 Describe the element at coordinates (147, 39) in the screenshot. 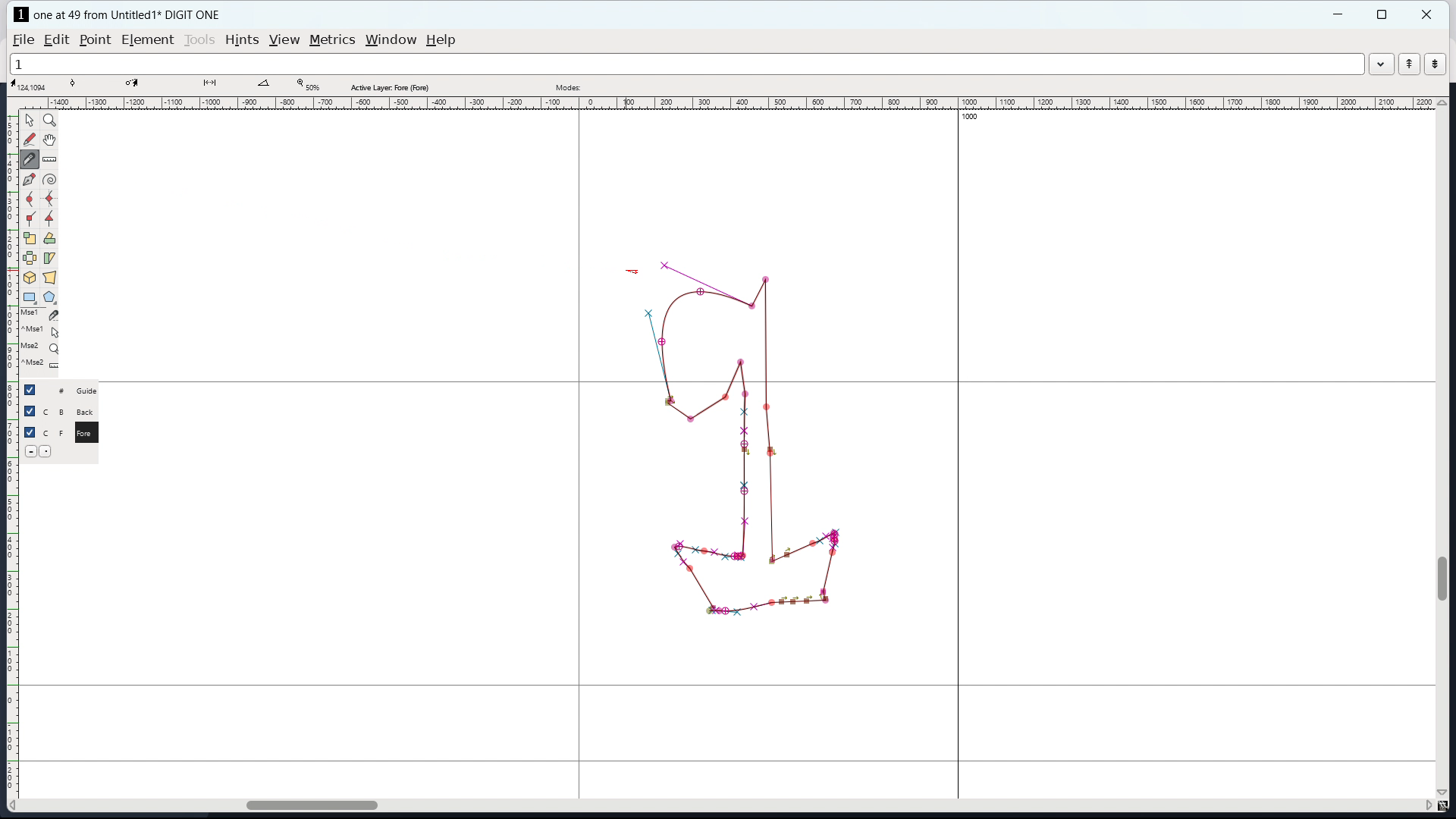

I see `element` at that location.